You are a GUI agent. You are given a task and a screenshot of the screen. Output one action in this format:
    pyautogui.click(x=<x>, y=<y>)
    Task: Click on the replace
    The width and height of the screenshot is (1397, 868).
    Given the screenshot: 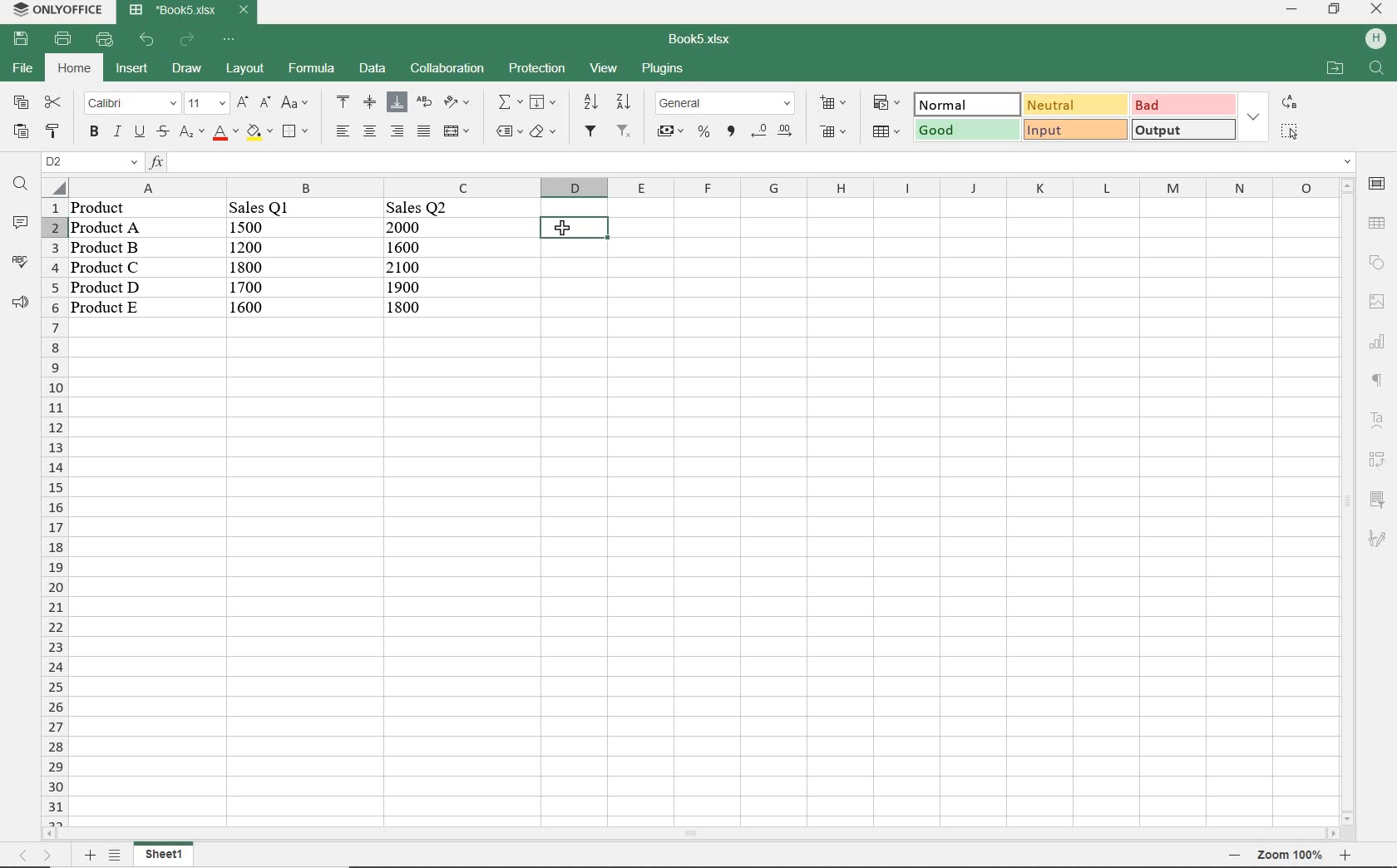 What is the action you would take?
    pyautogui.click(x=1291, y=104)
    